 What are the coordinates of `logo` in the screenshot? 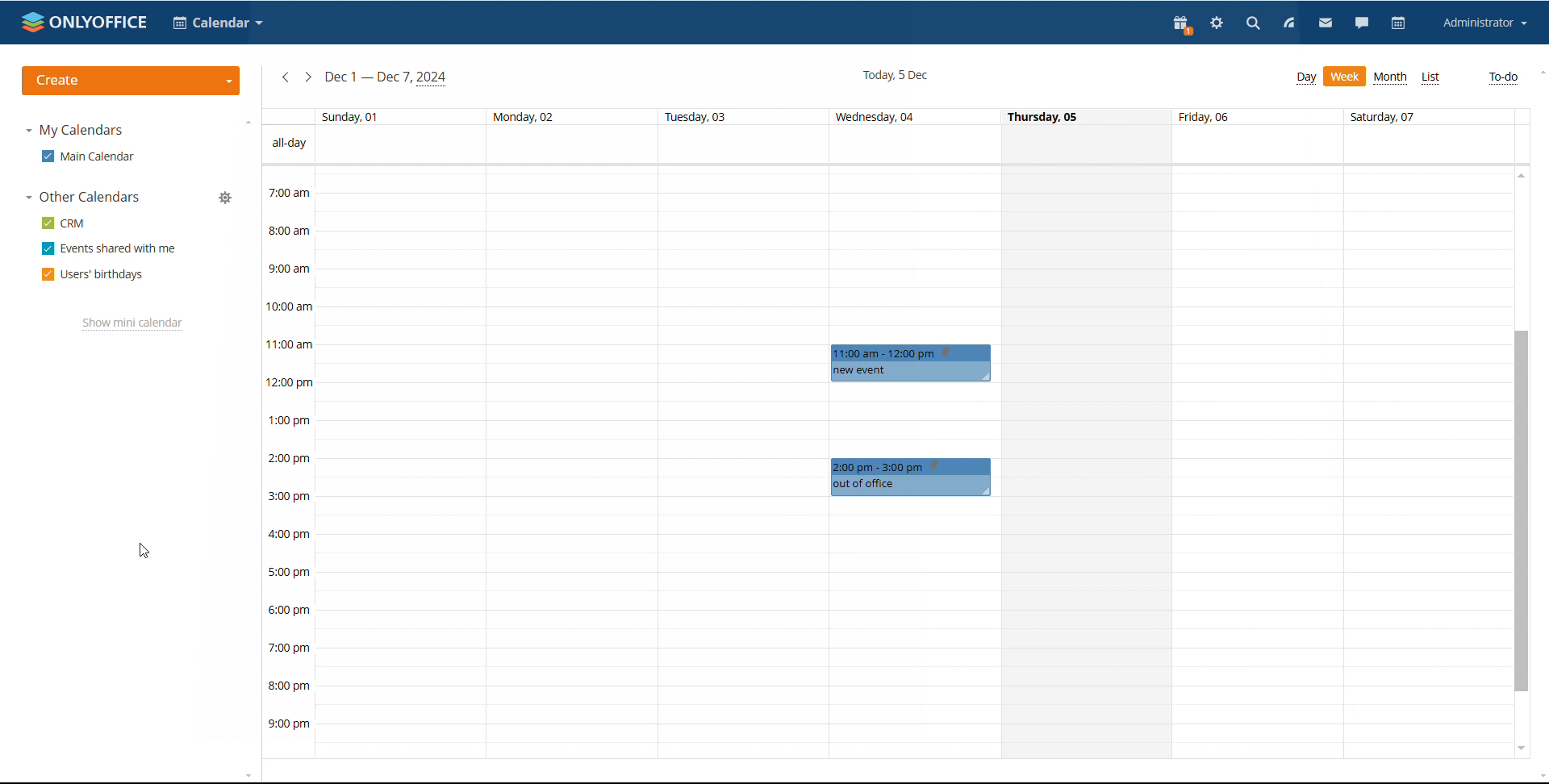 It's located at (83, 21).